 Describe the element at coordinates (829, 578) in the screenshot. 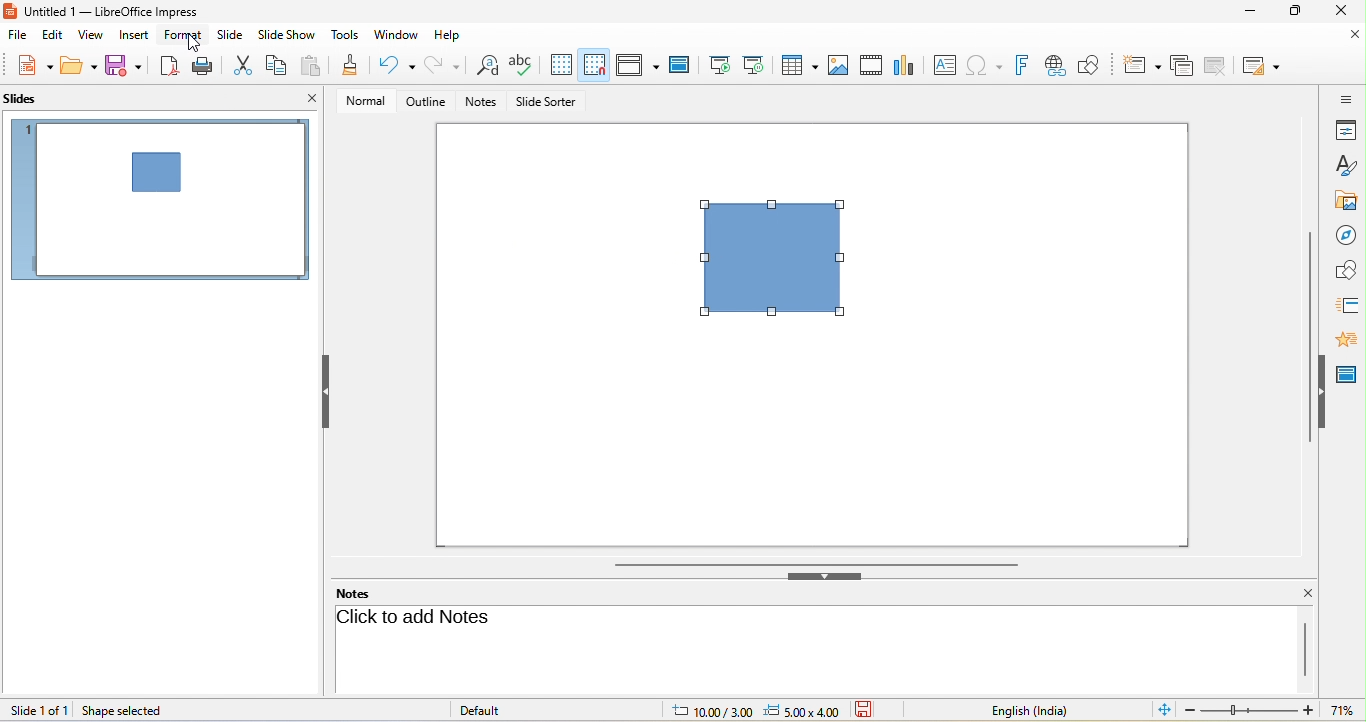

I see `hide` at that location.